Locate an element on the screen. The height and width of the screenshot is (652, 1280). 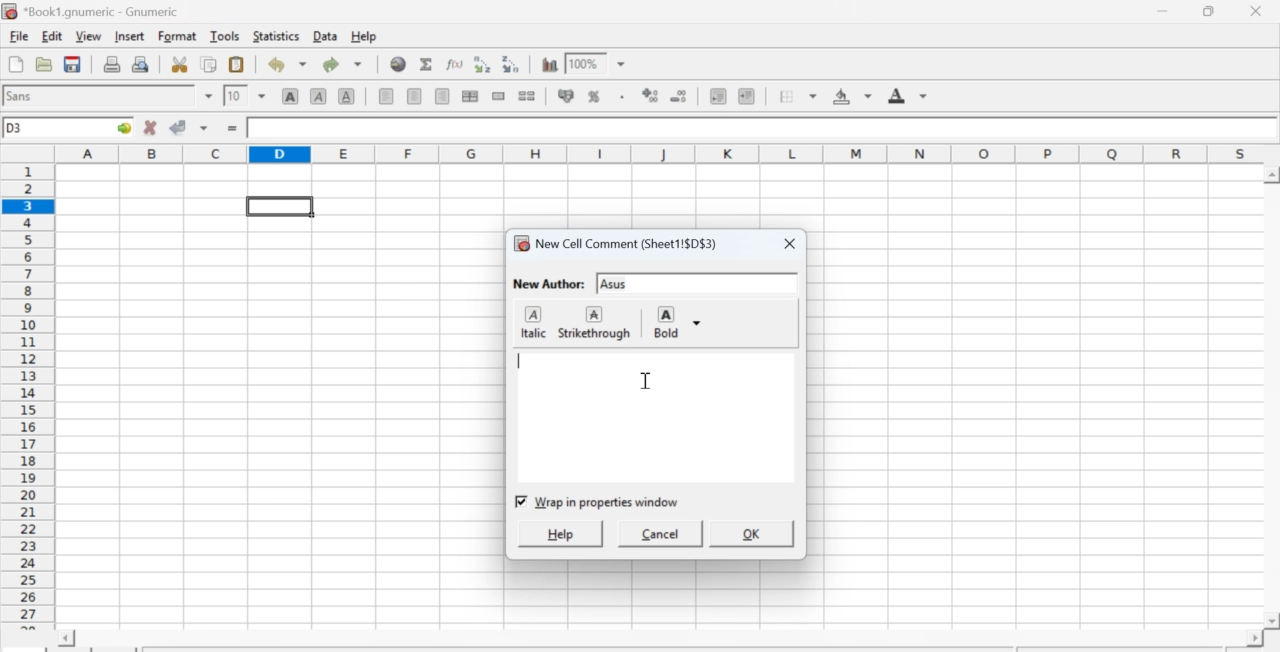
alphabets row is located at coordinates (659, 152).